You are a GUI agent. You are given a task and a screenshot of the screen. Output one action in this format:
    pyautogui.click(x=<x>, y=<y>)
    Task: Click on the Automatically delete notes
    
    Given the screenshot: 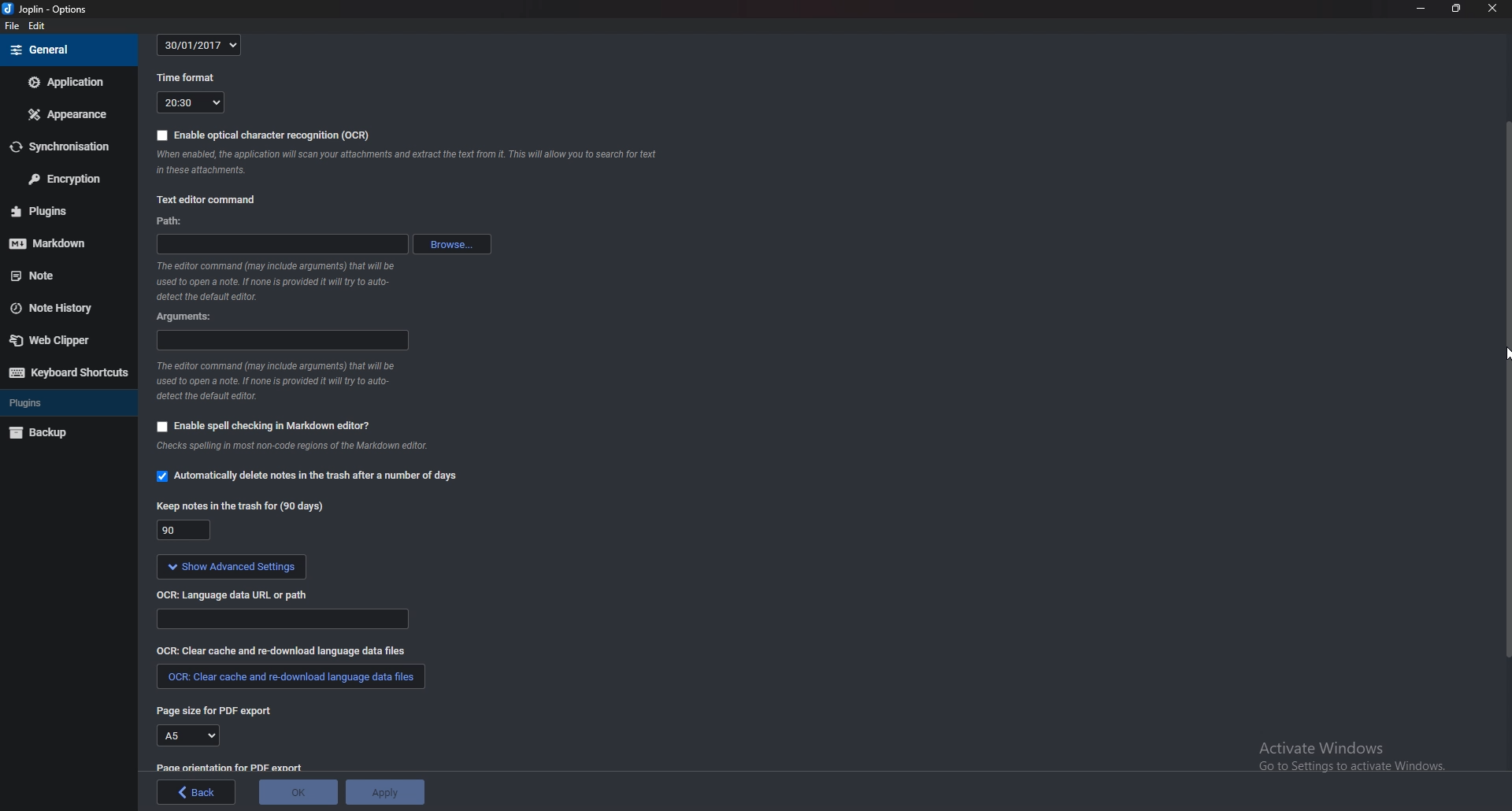 What is the action you would take?
    pyautogui.click(x=313, y=478)
    